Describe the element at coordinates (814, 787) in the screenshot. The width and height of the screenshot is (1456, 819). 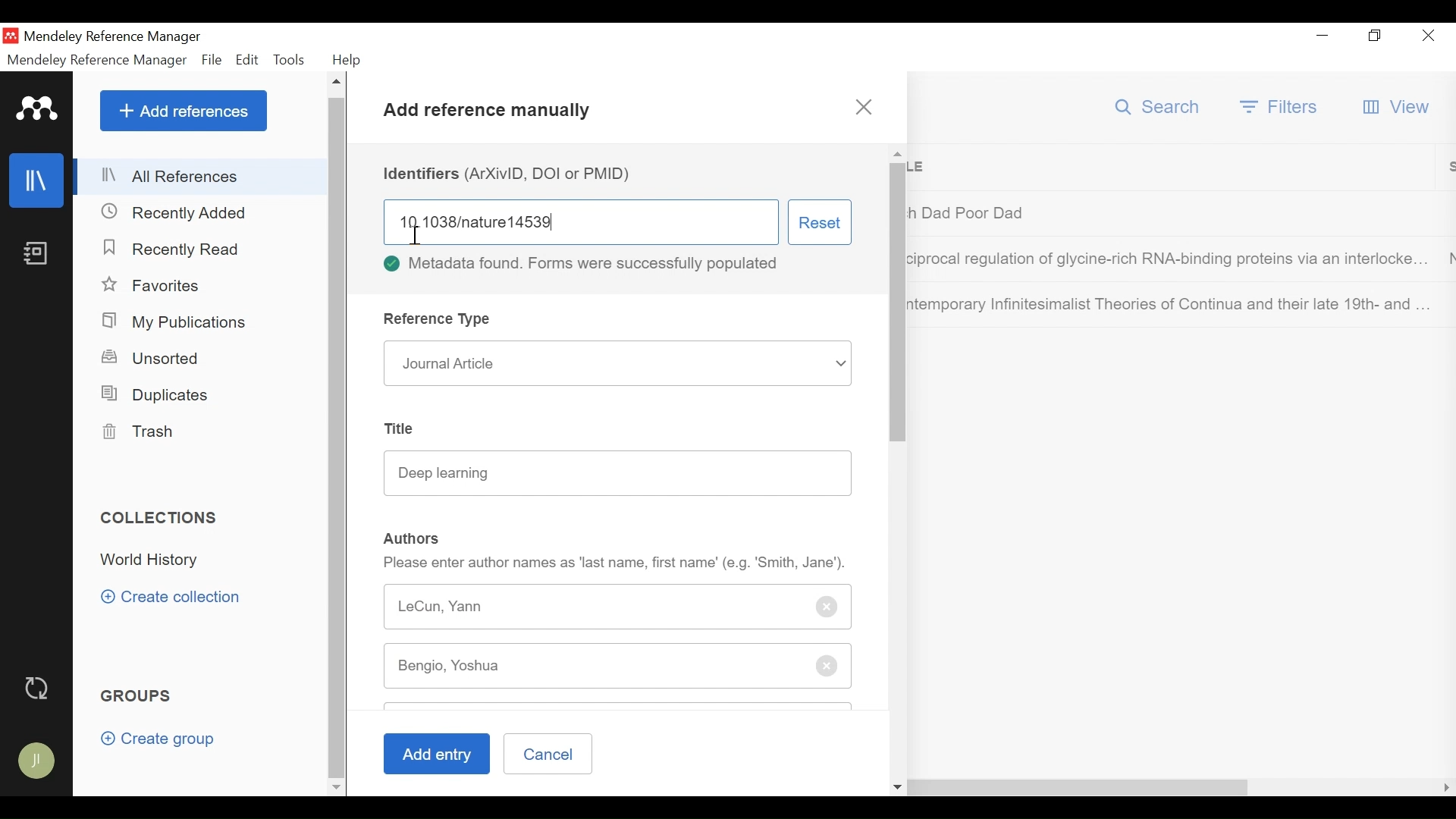
I see `Horizontal Scroll bar` at that location.